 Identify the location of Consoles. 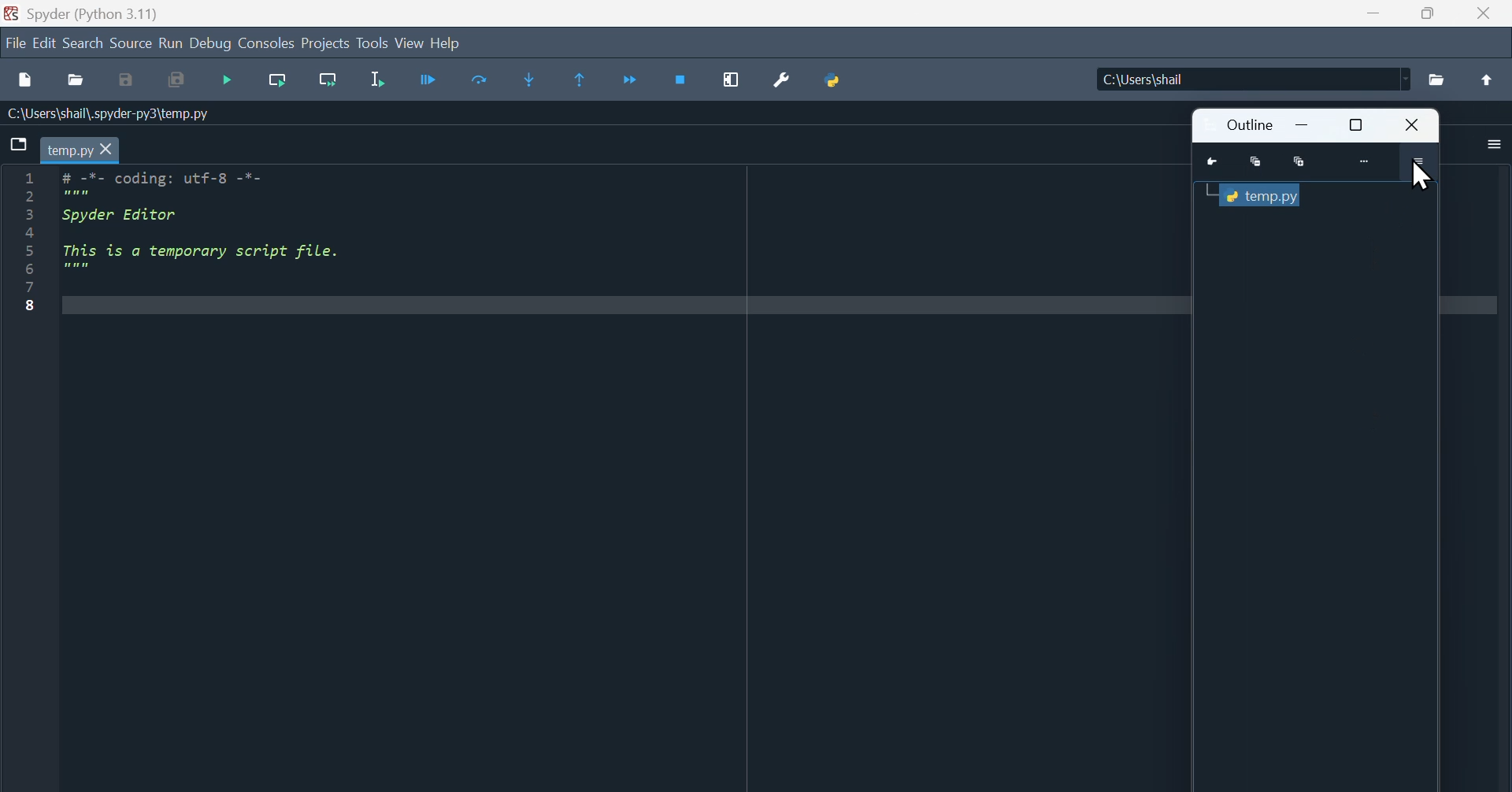
(265, 42).